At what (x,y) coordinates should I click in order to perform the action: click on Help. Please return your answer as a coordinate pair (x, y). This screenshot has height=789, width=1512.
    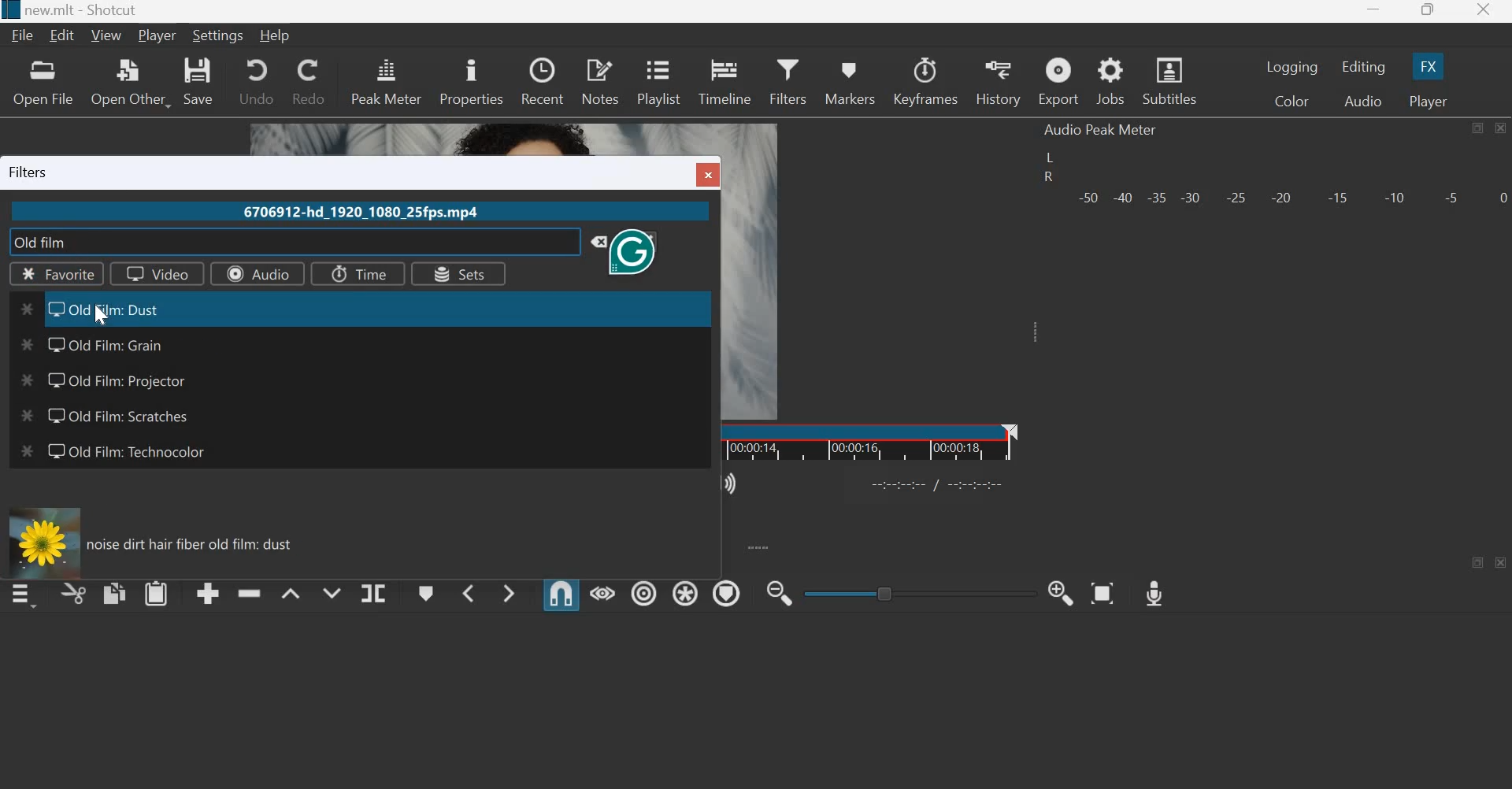
    Looking at the image, I should click on (280, 34).